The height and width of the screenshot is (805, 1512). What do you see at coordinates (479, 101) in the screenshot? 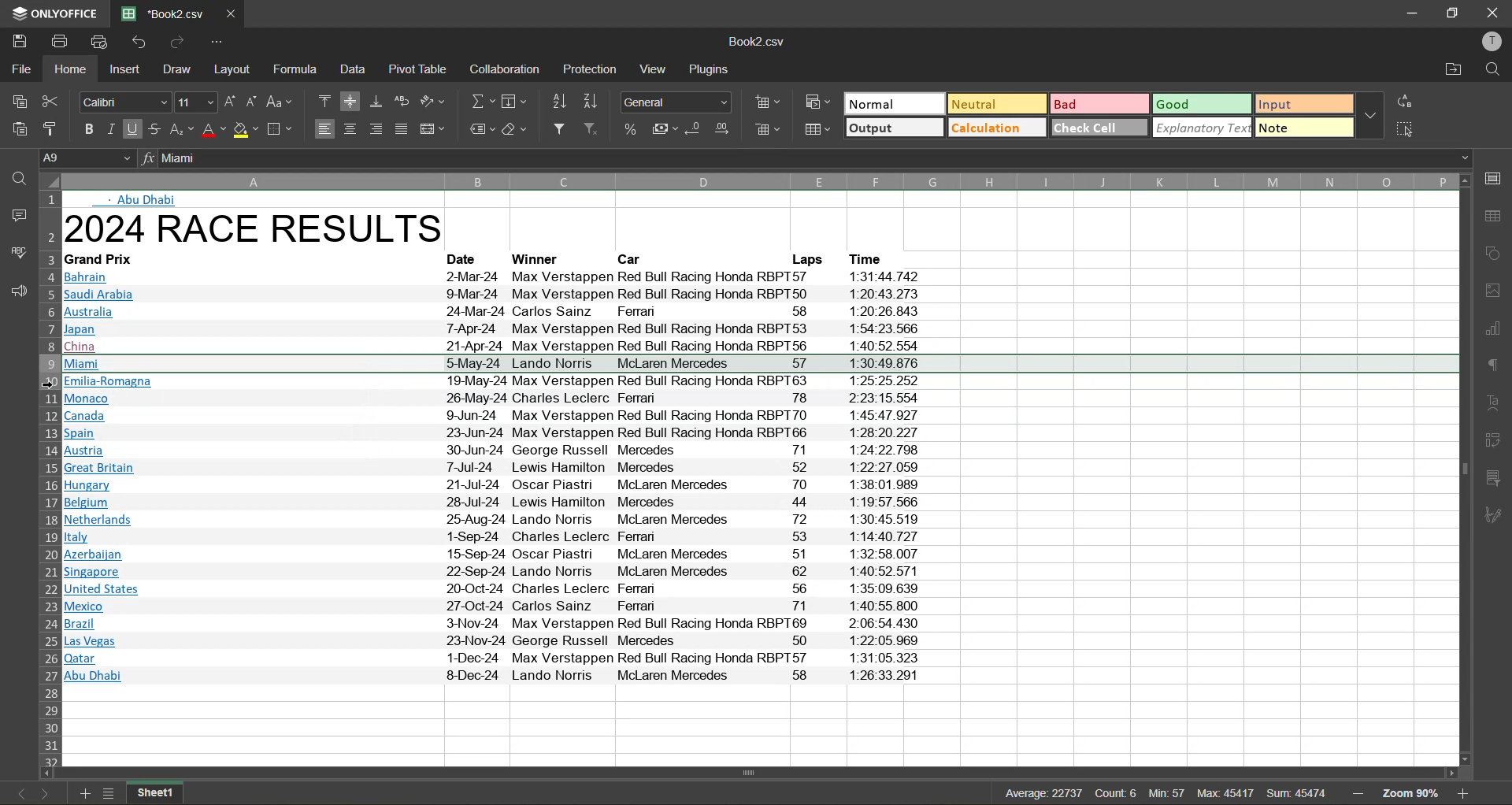
I see `summation` at bounding box center [479, 101].